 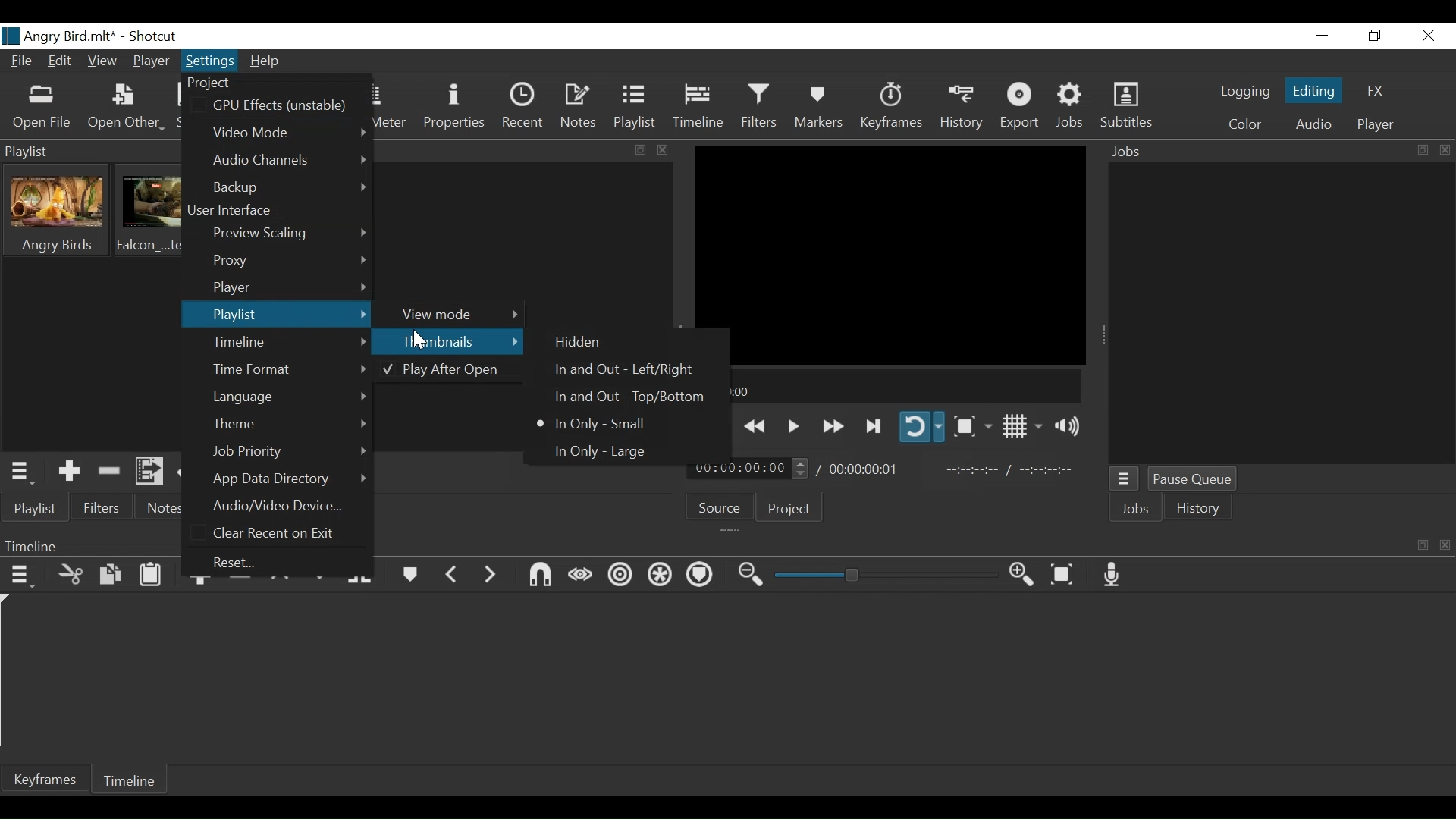 What do you see at coordinates (1022, 427) in the screenshot?
I see `Toggle display grid on the player` at bounding box center [1022, 427].